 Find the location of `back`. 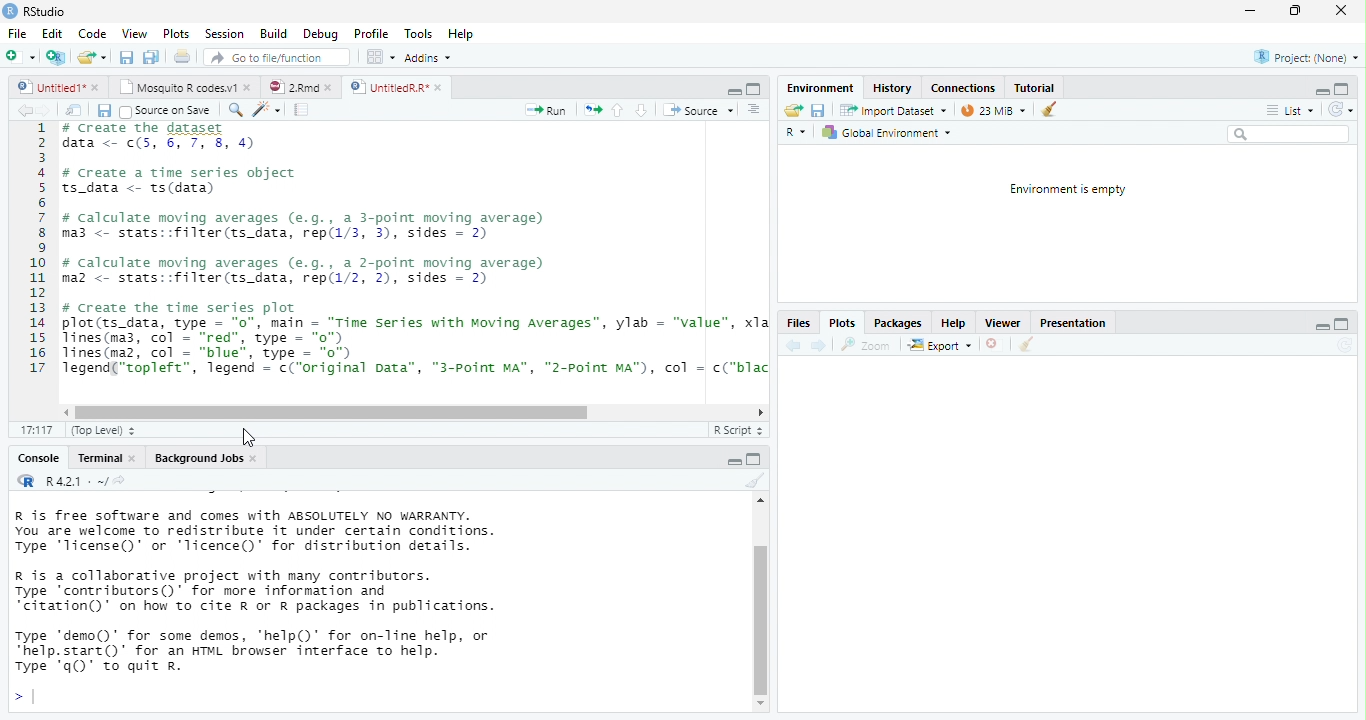

back is located at coordinates (791, 345).